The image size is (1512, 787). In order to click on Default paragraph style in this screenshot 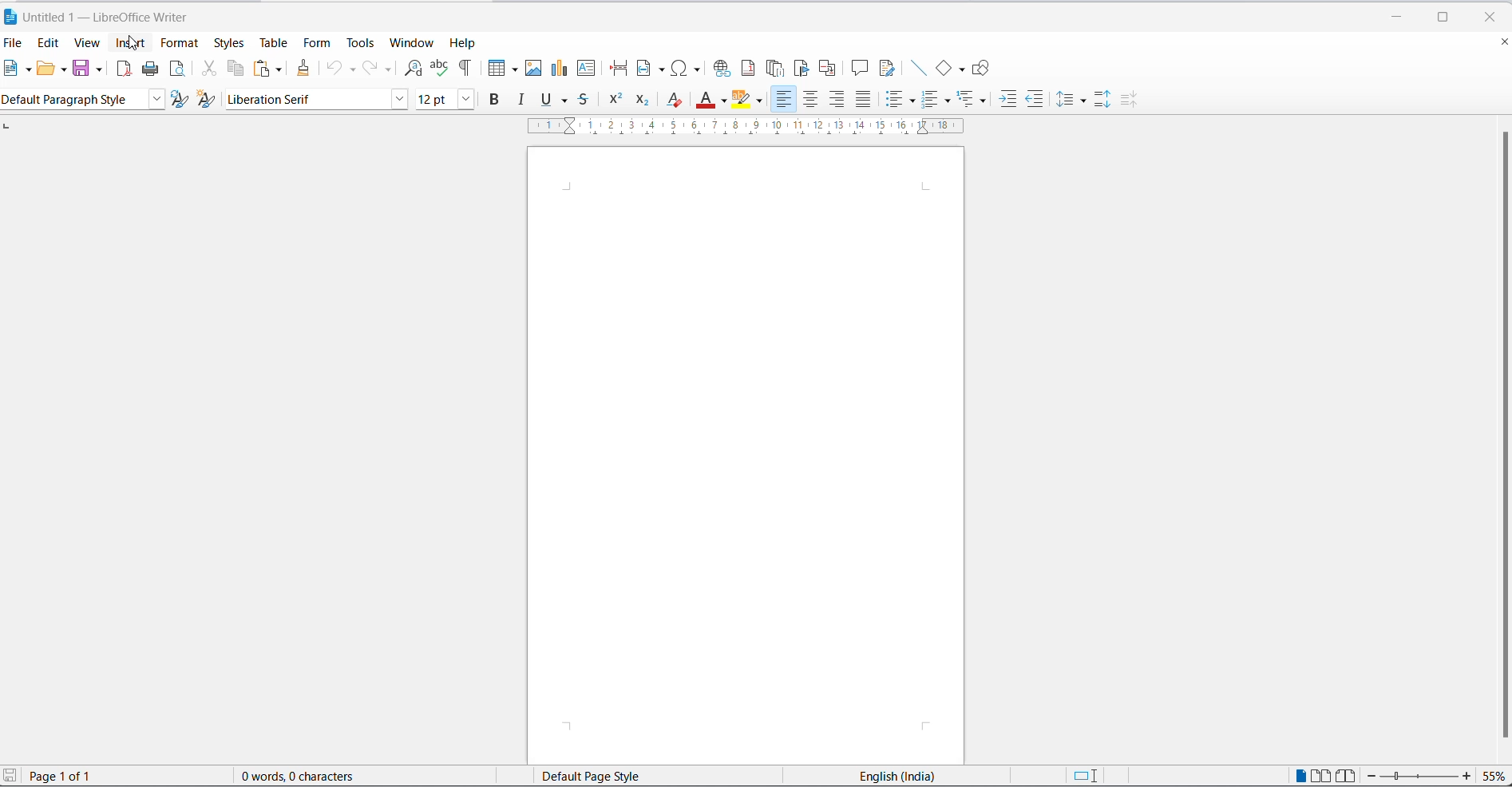, I will do `click(76, 99)`.